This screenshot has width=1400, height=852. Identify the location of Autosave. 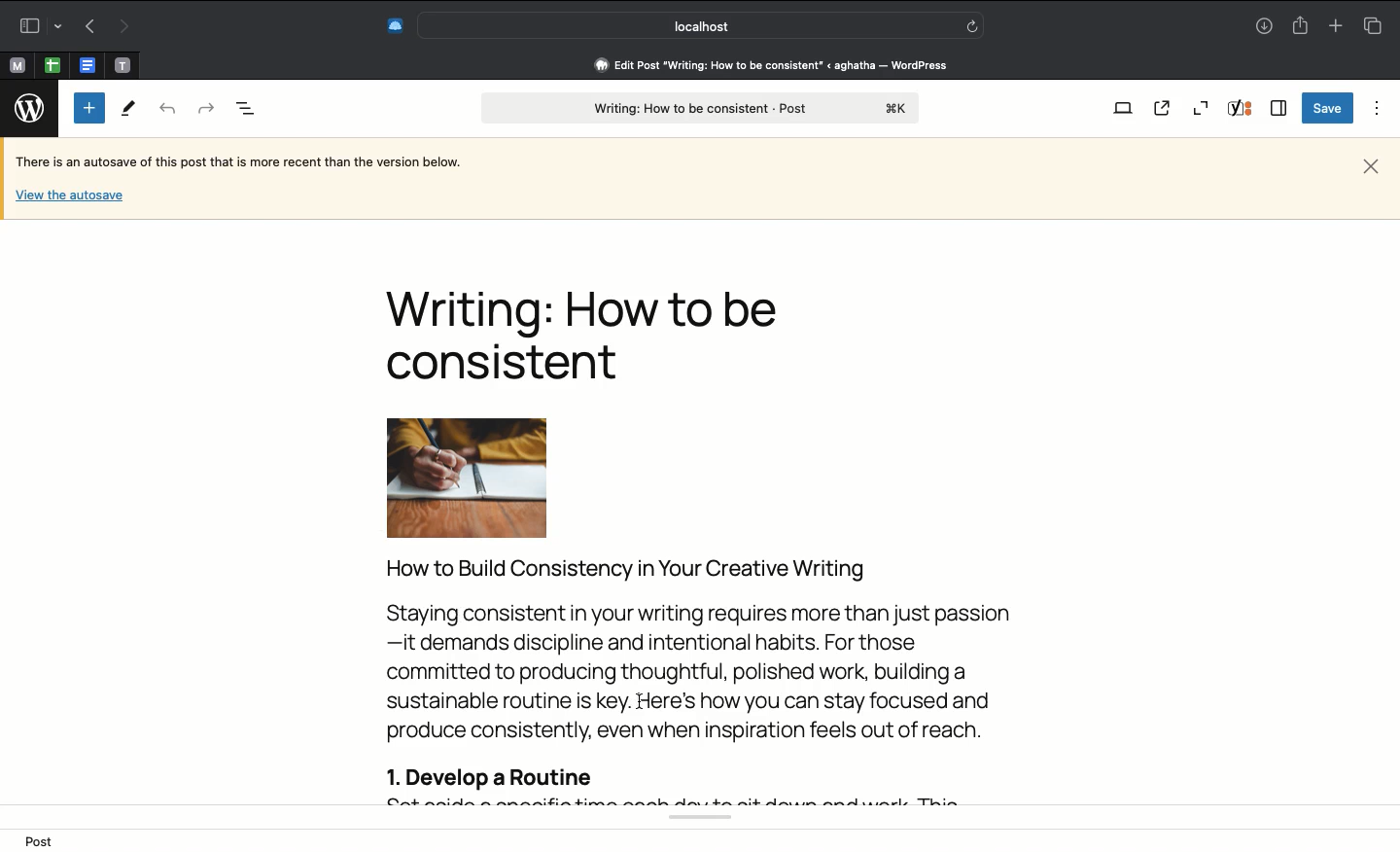
(254, 163).